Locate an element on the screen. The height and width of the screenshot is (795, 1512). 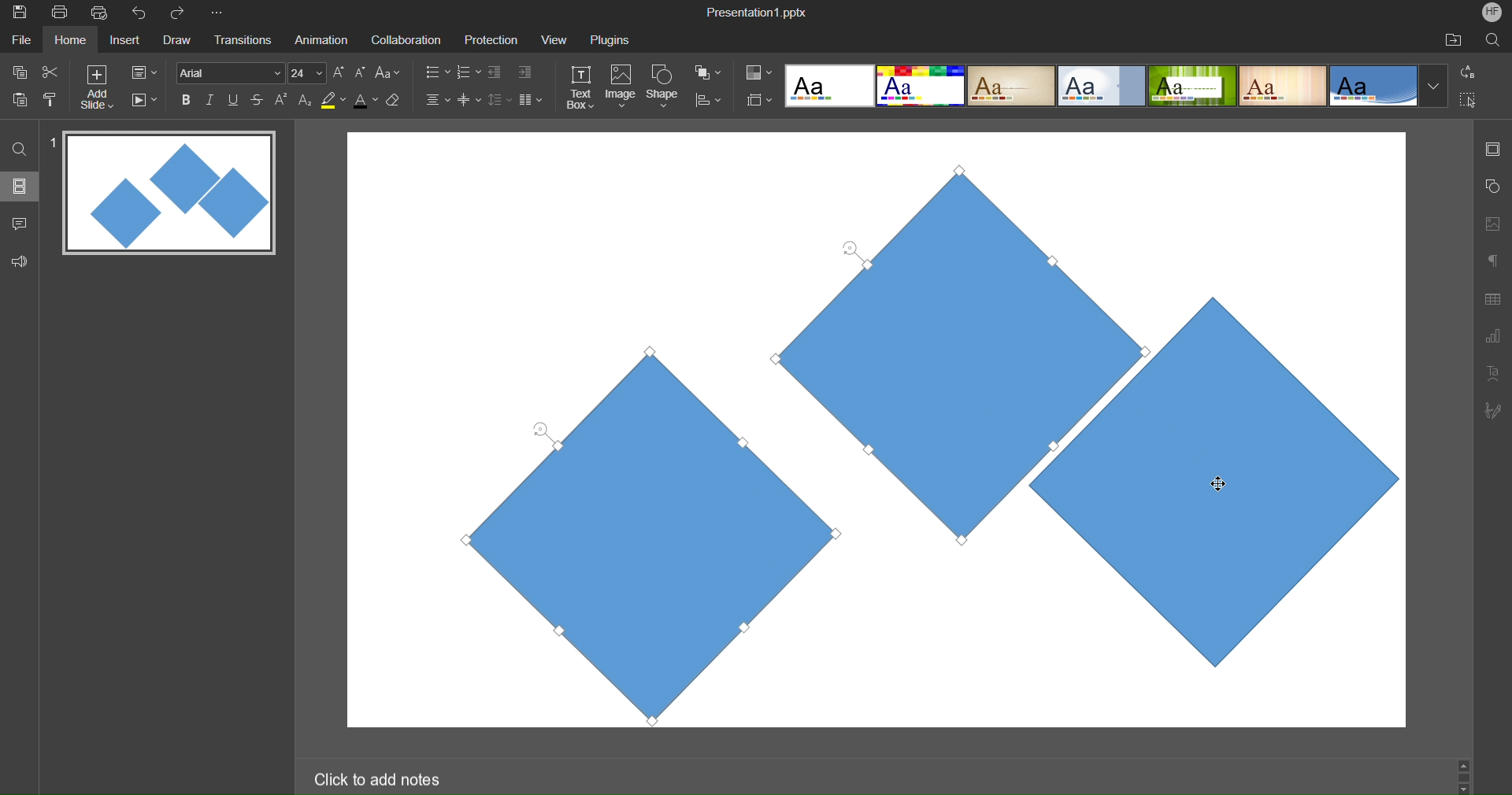
copy is located at coordinates (17, 72).